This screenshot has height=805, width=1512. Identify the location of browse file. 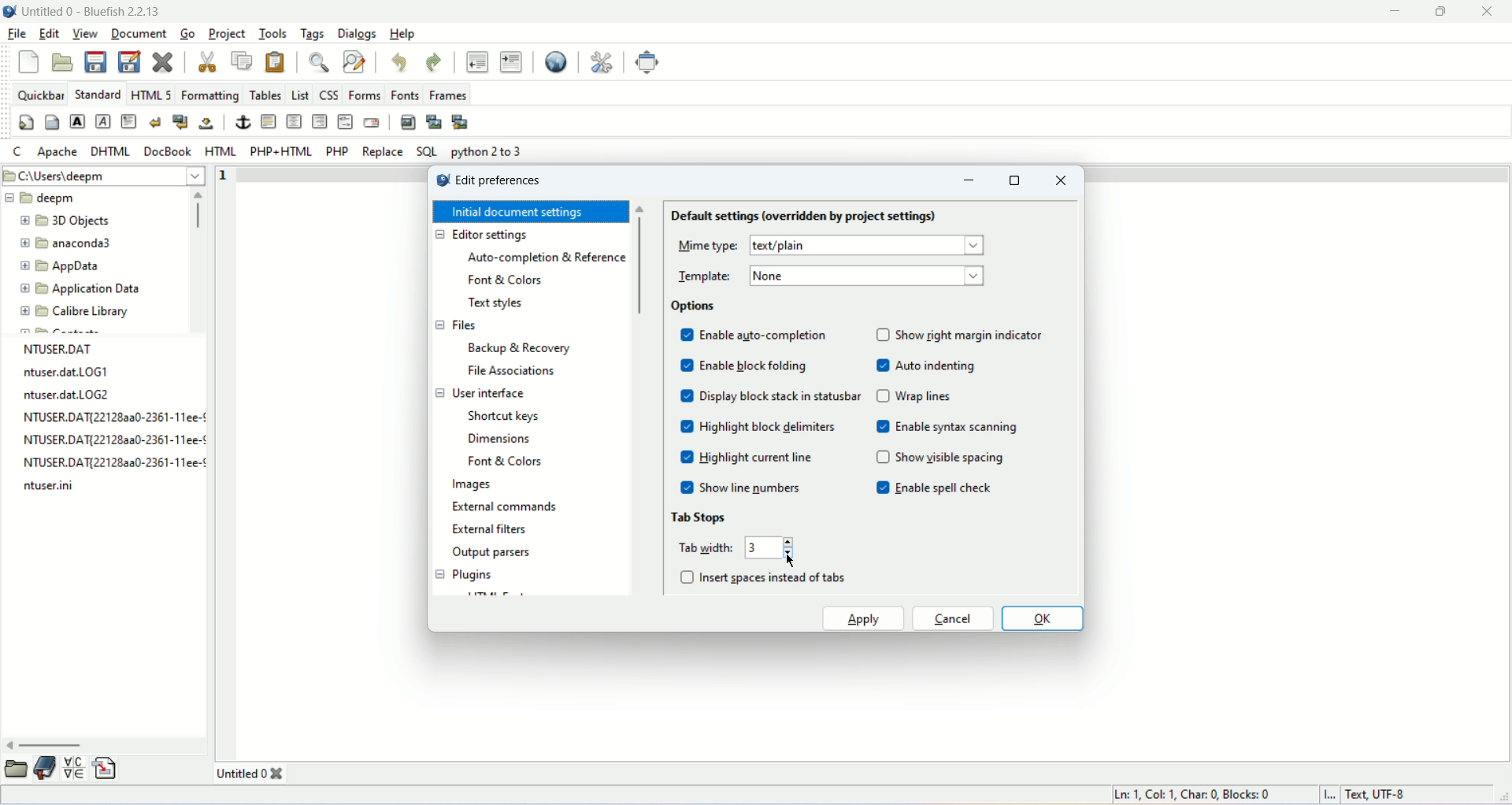
(15, 770).